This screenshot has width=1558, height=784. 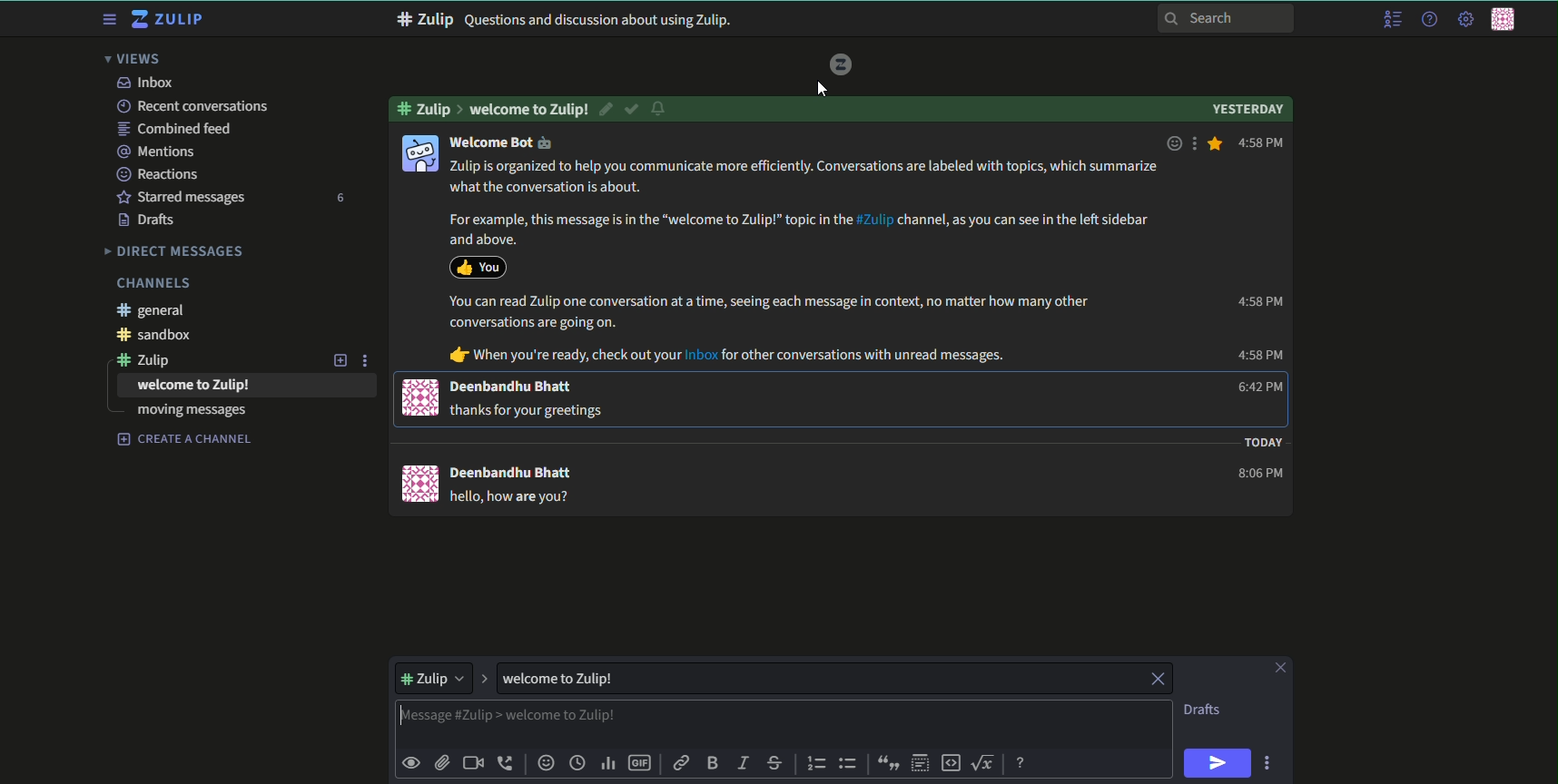 I want to click on main menu, so click(x=1464, y=19).